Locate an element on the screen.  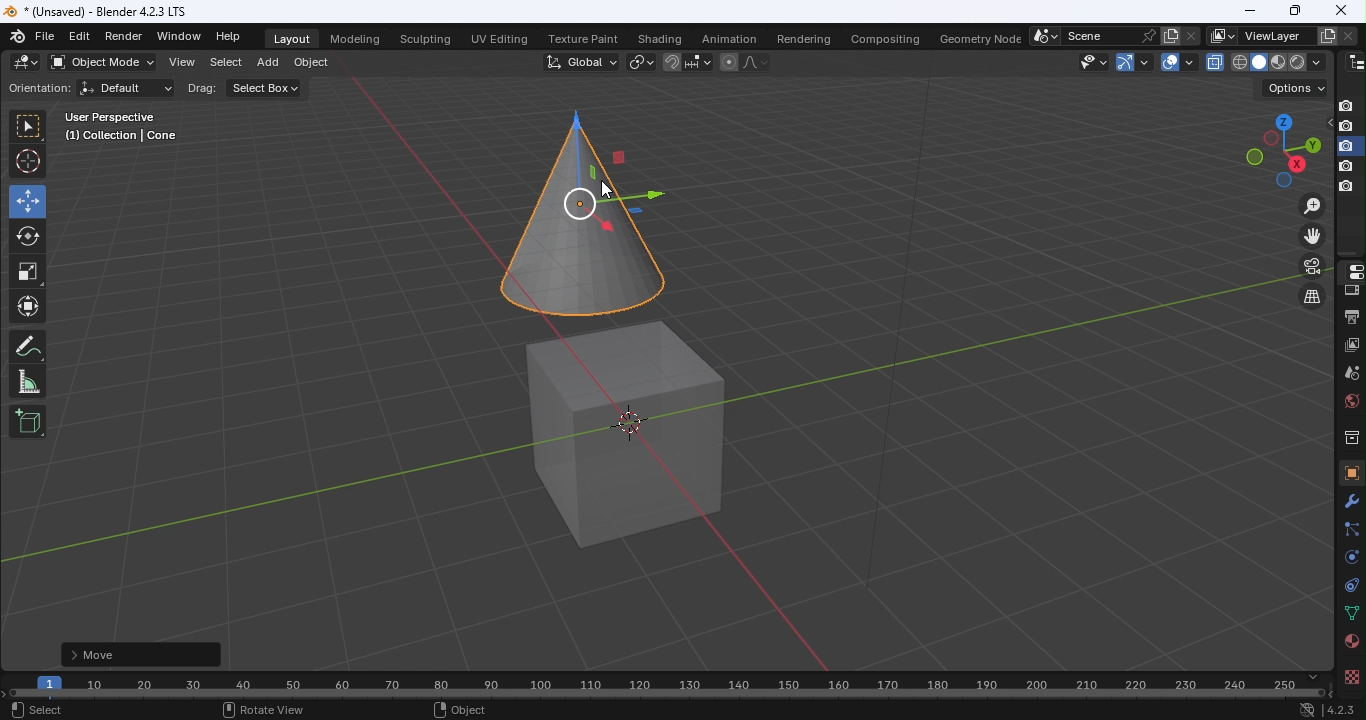
Workspace is located at coordinates (647, 389).